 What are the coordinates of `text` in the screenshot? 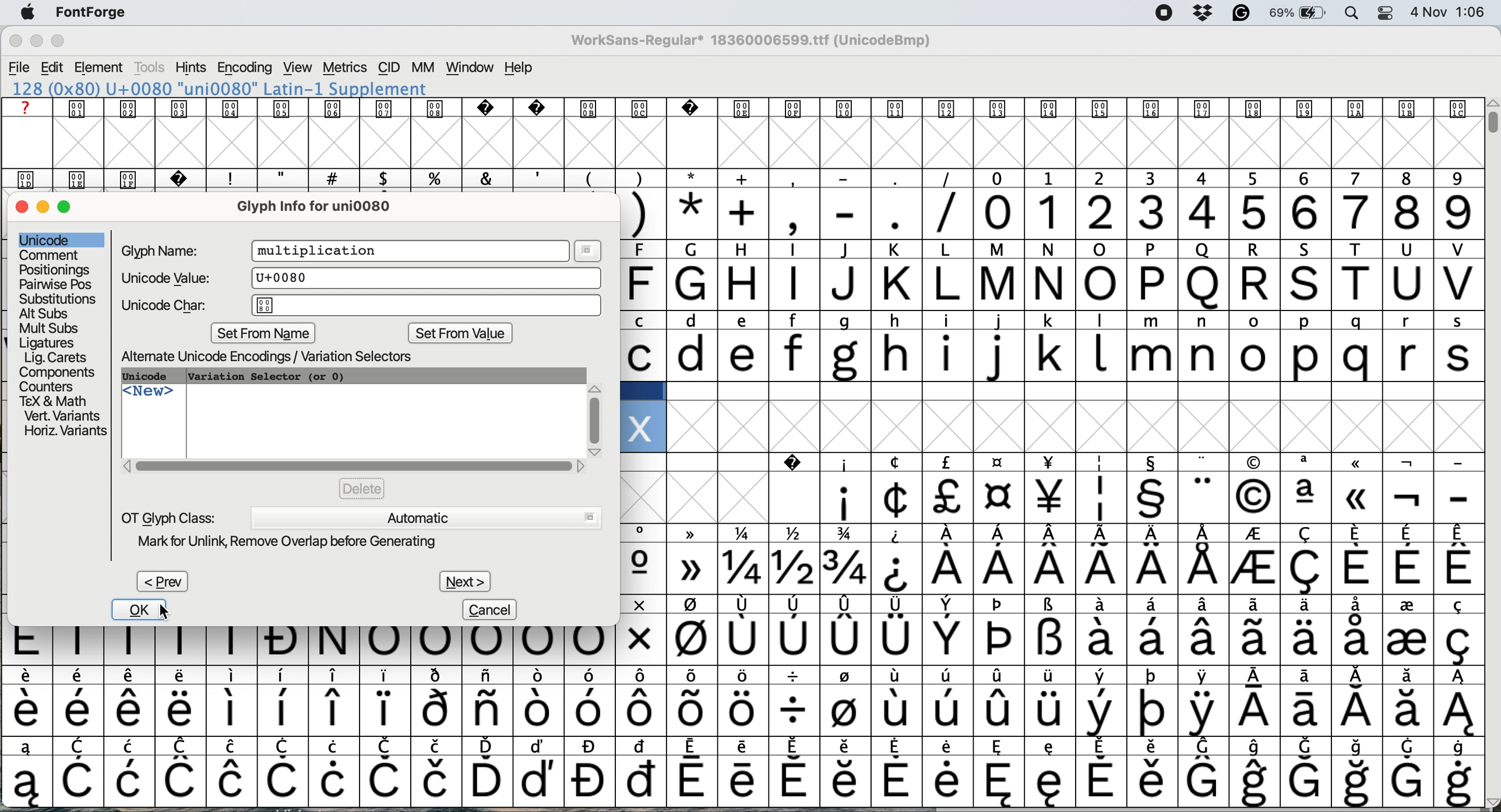 It's located at (738, 108).